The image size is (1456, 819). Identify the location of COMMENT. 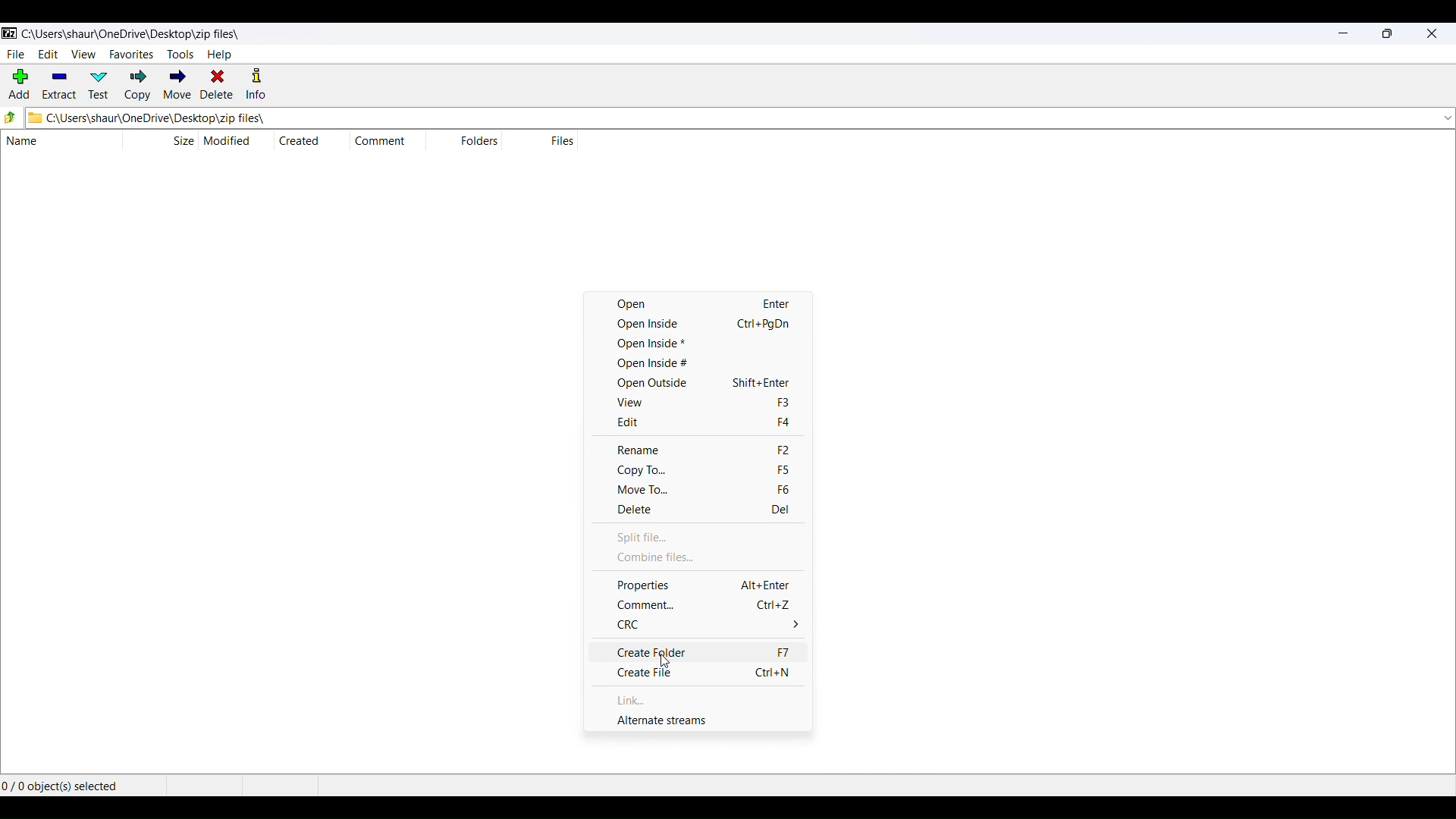
(709, 604).